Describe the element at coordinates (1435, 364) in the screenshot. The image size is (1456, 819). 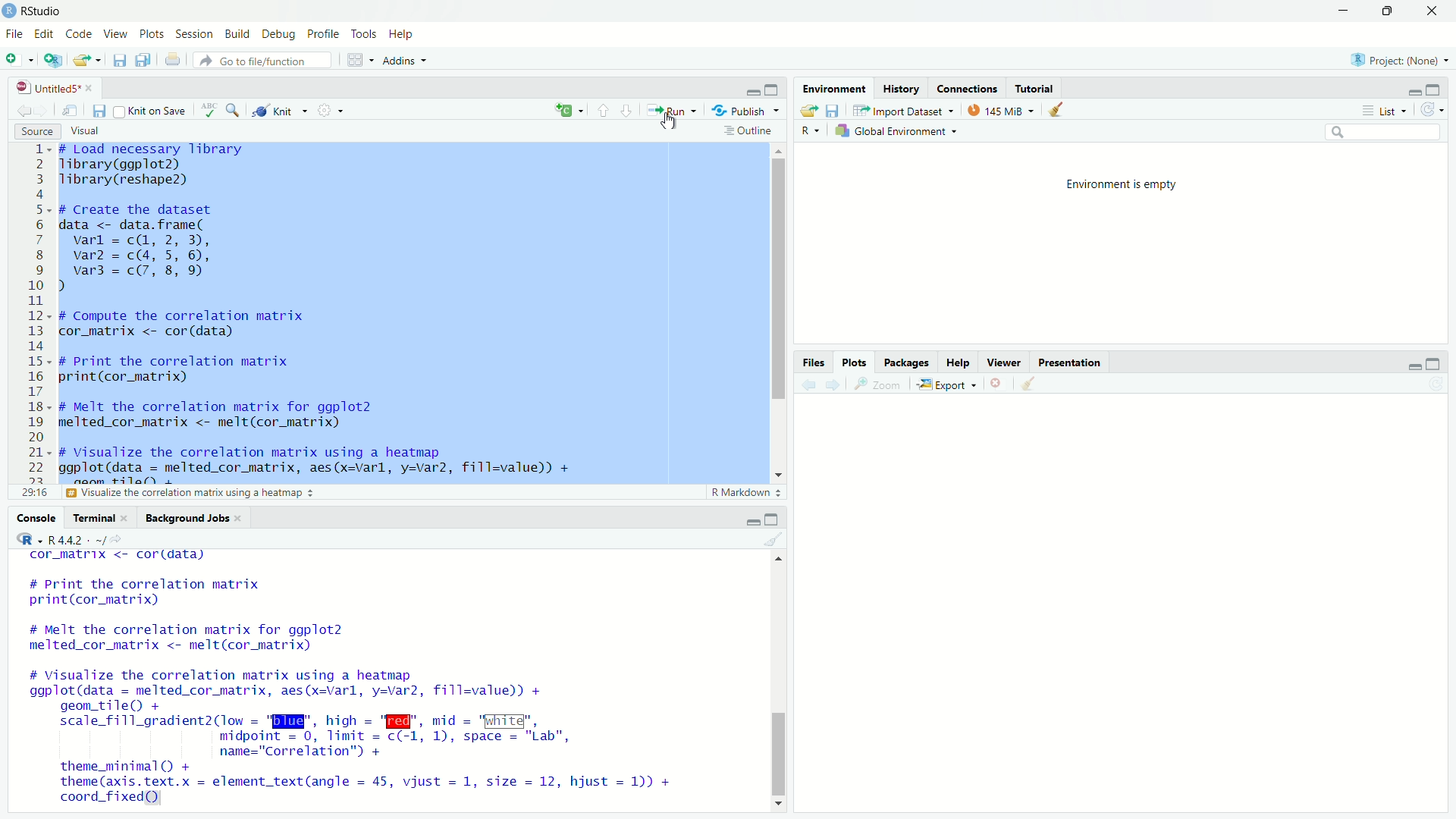
I see `maximize` at that location.